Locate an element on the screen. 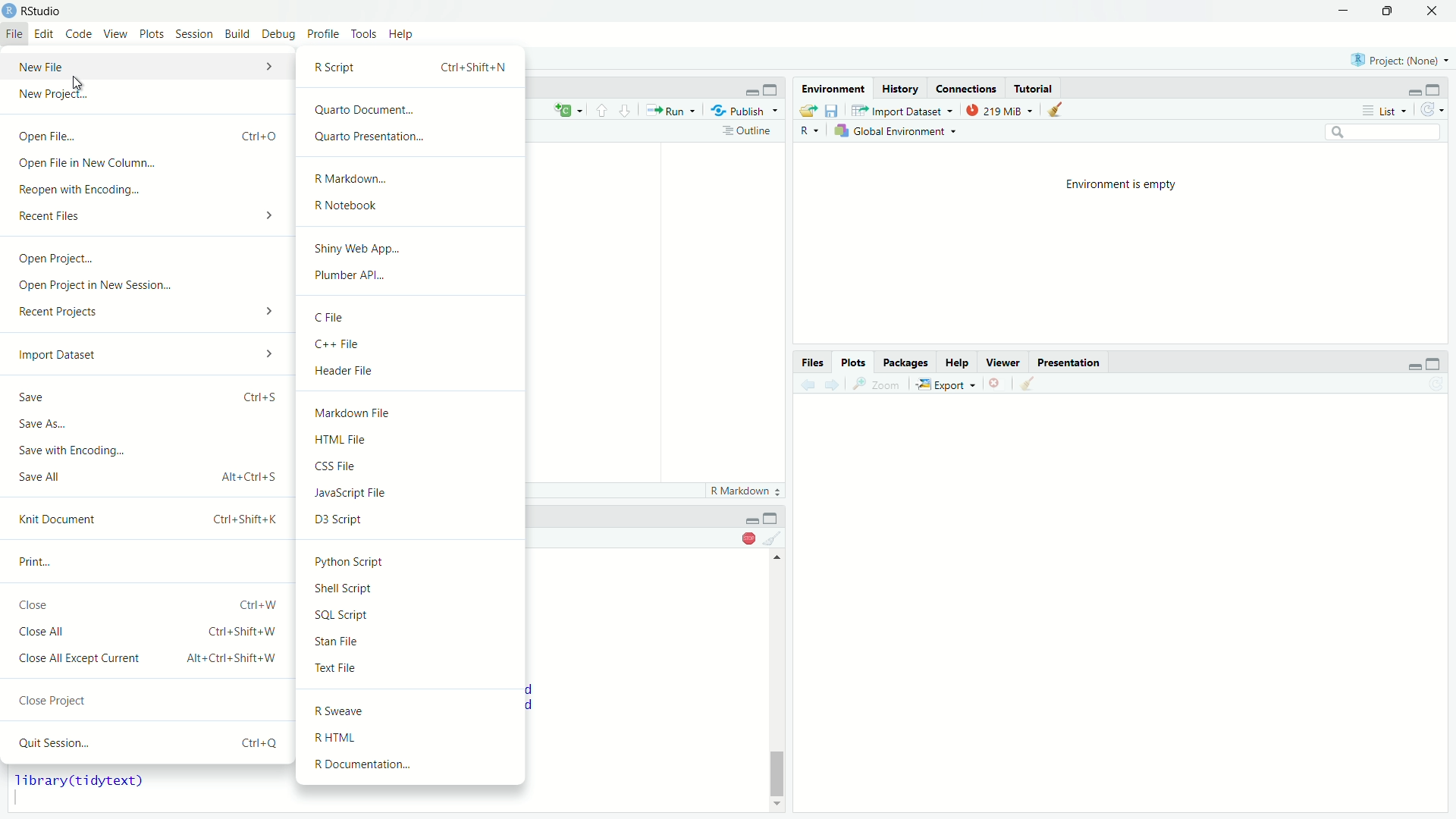 The height and width of the screenshot is (819, 1456).  is located at coordinates (751, 516).